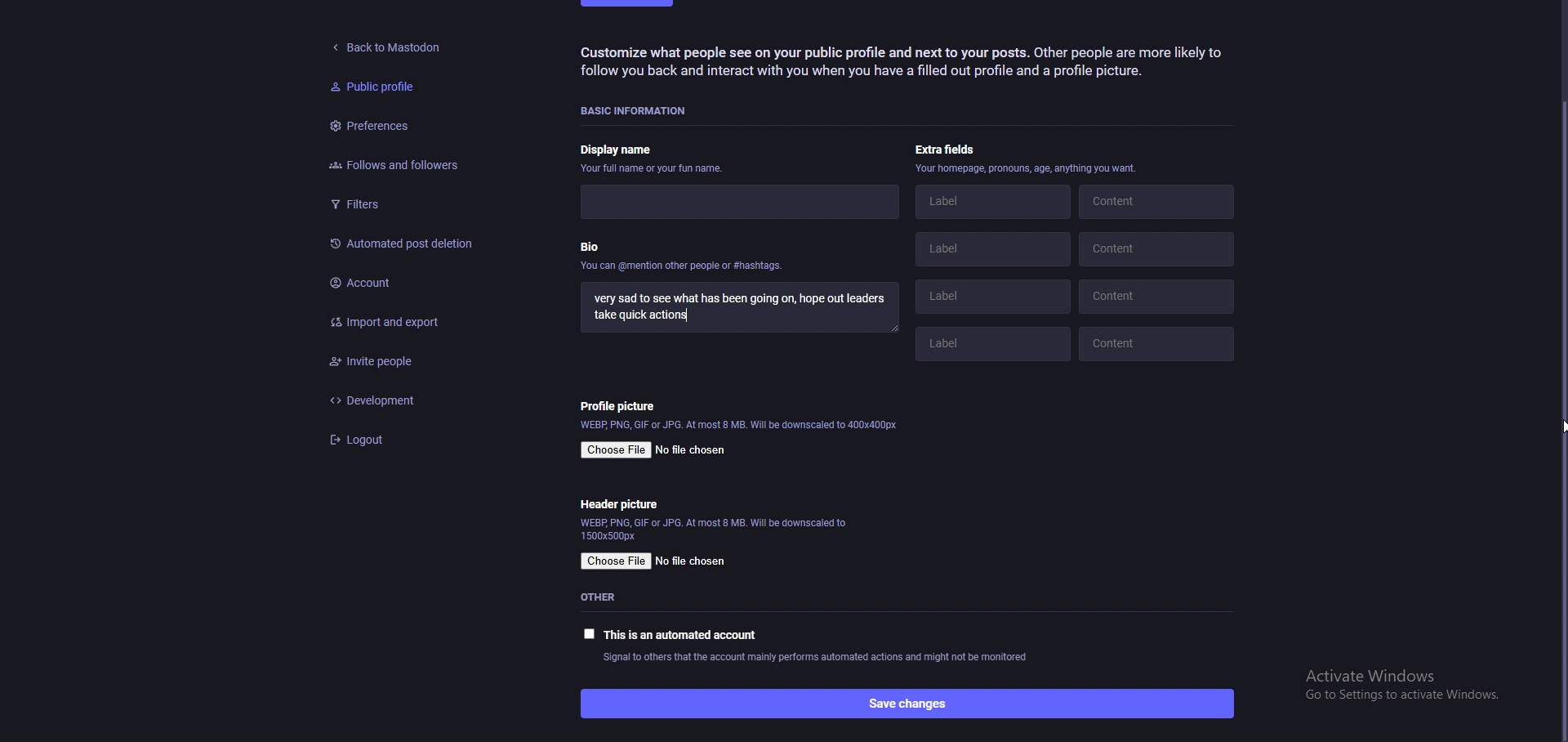 This screenshot has height=742, width=1568. I want to click on choose file, so click(616, 450).